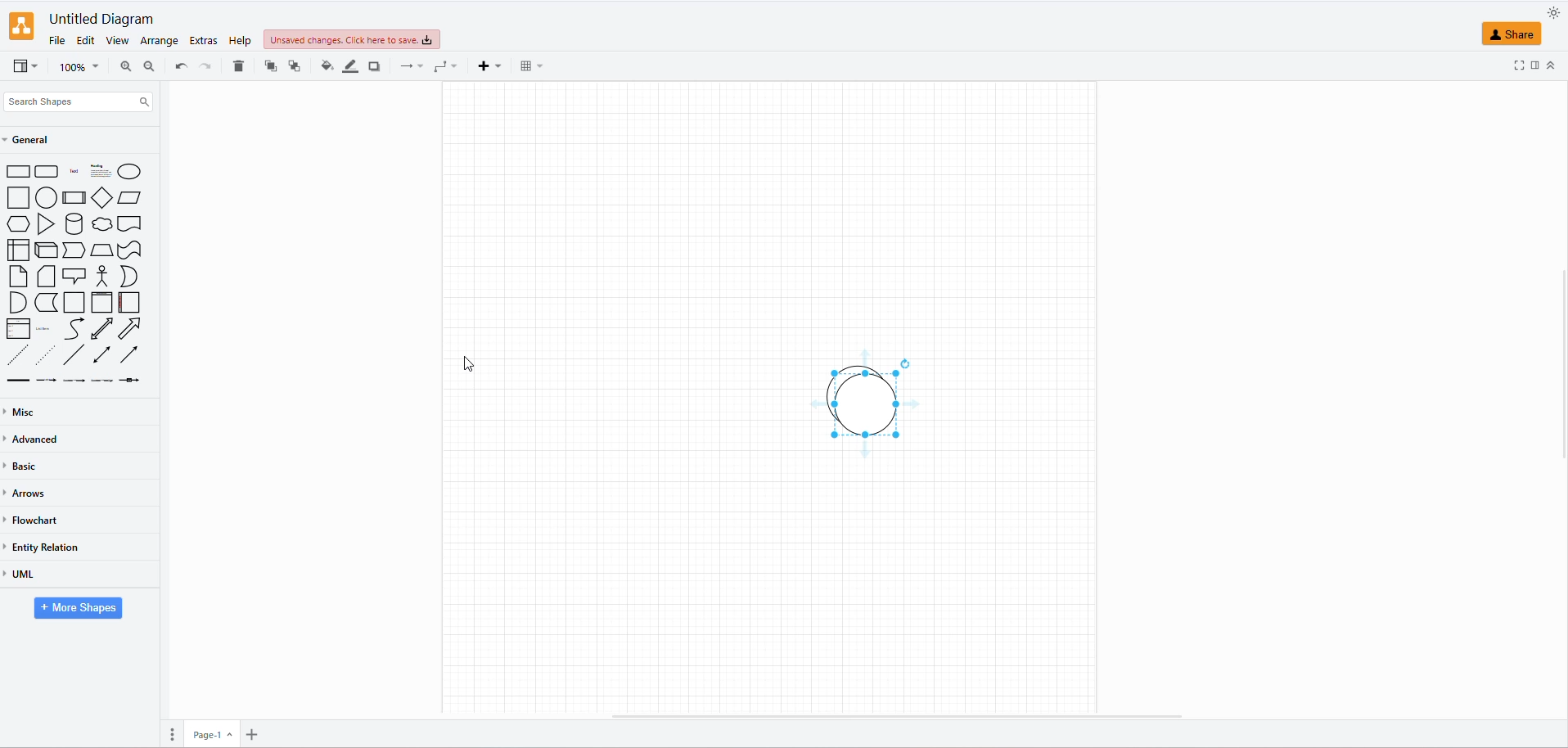 The width and height of the screenshot is (1568, 748). What do you see at coordinates (376, 66) in the screenshot?
I see `SHADOW` at bounding box center [376, 66].